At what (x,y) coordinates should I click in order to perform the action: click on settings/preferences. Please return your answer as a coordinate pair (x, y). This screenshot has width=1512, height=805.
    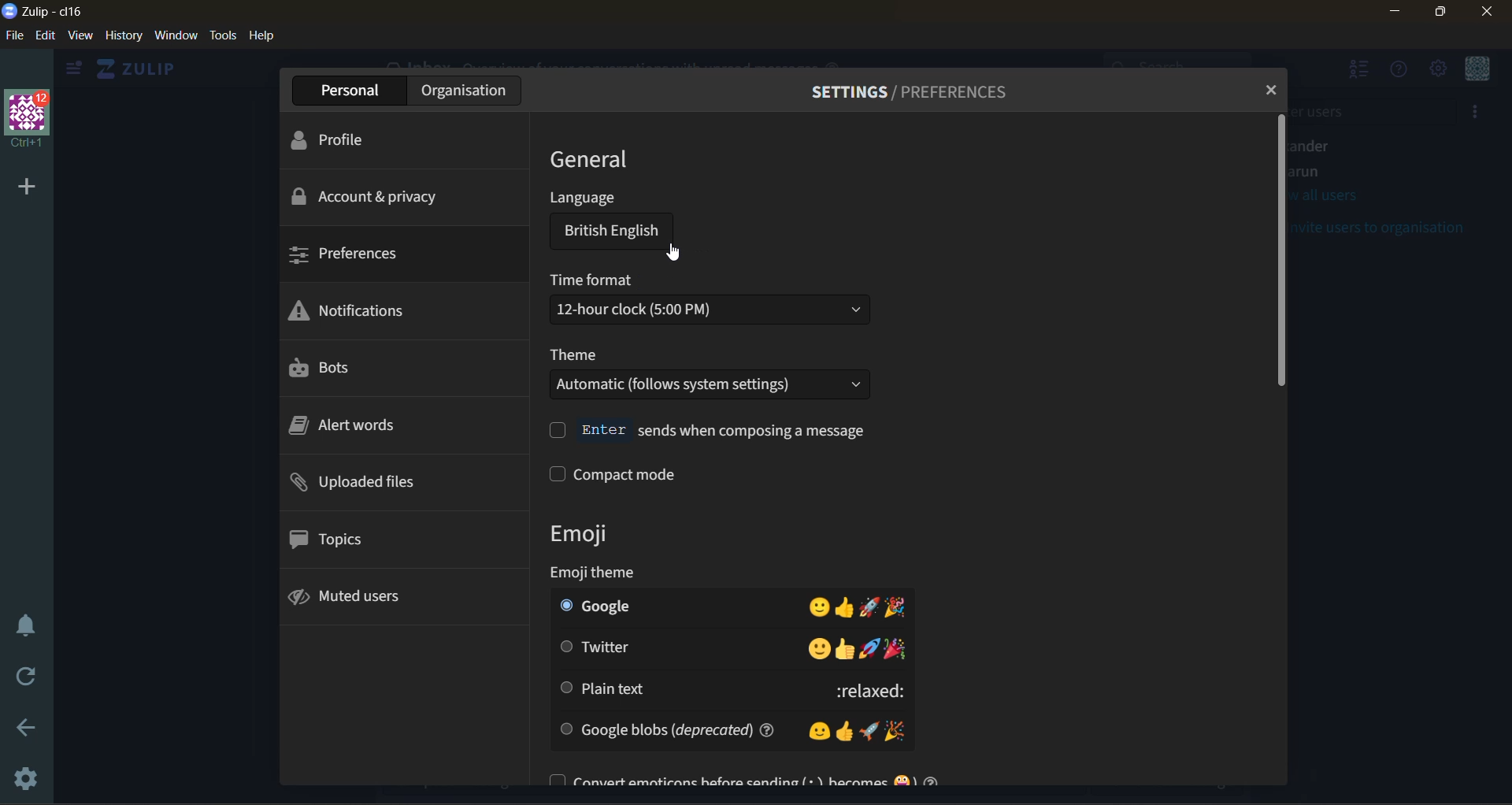
    Looking at the image, I should click on (913, 93).